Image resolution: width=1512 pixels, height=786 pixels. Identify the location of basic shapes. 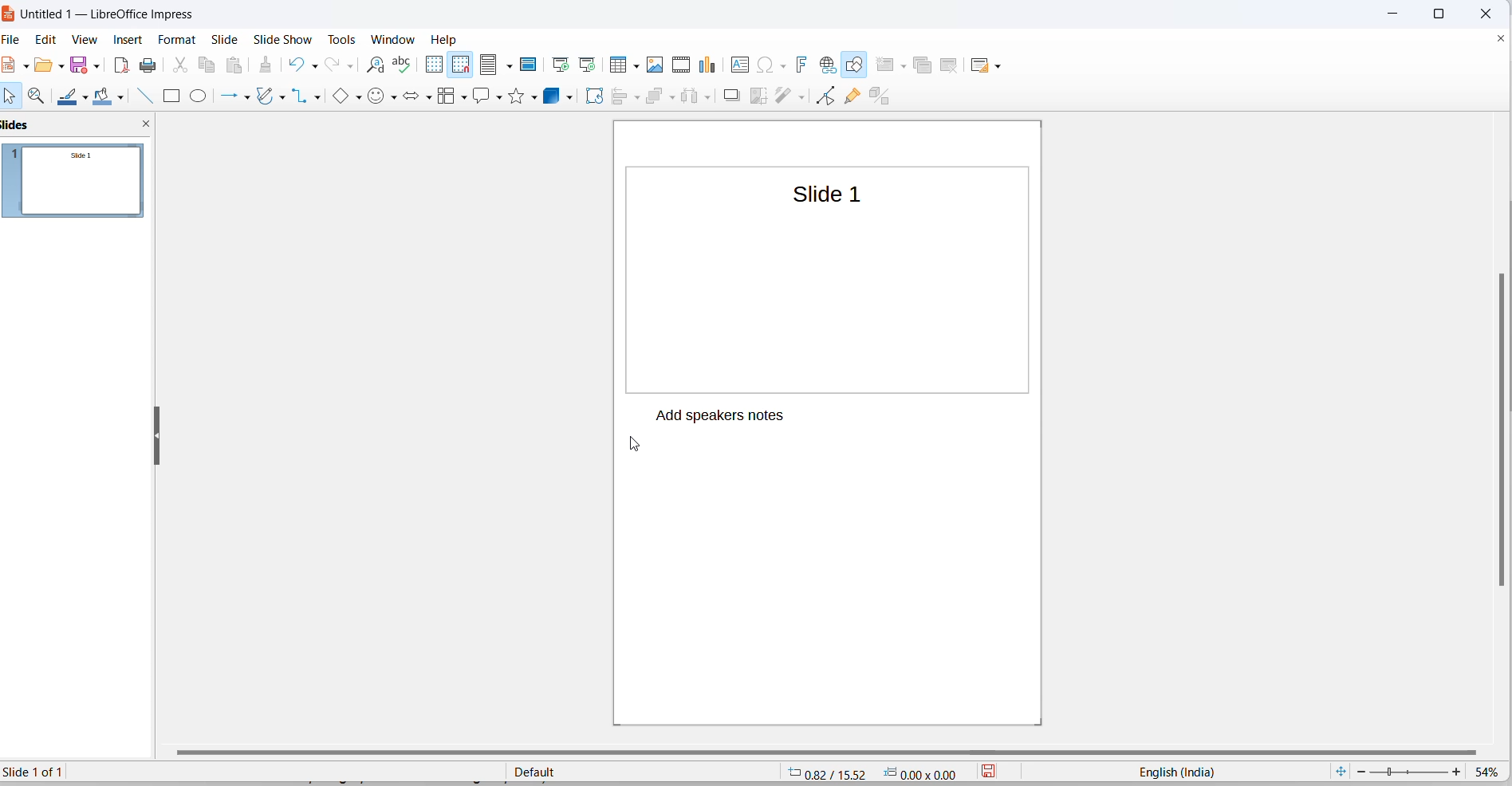
(343, 96).